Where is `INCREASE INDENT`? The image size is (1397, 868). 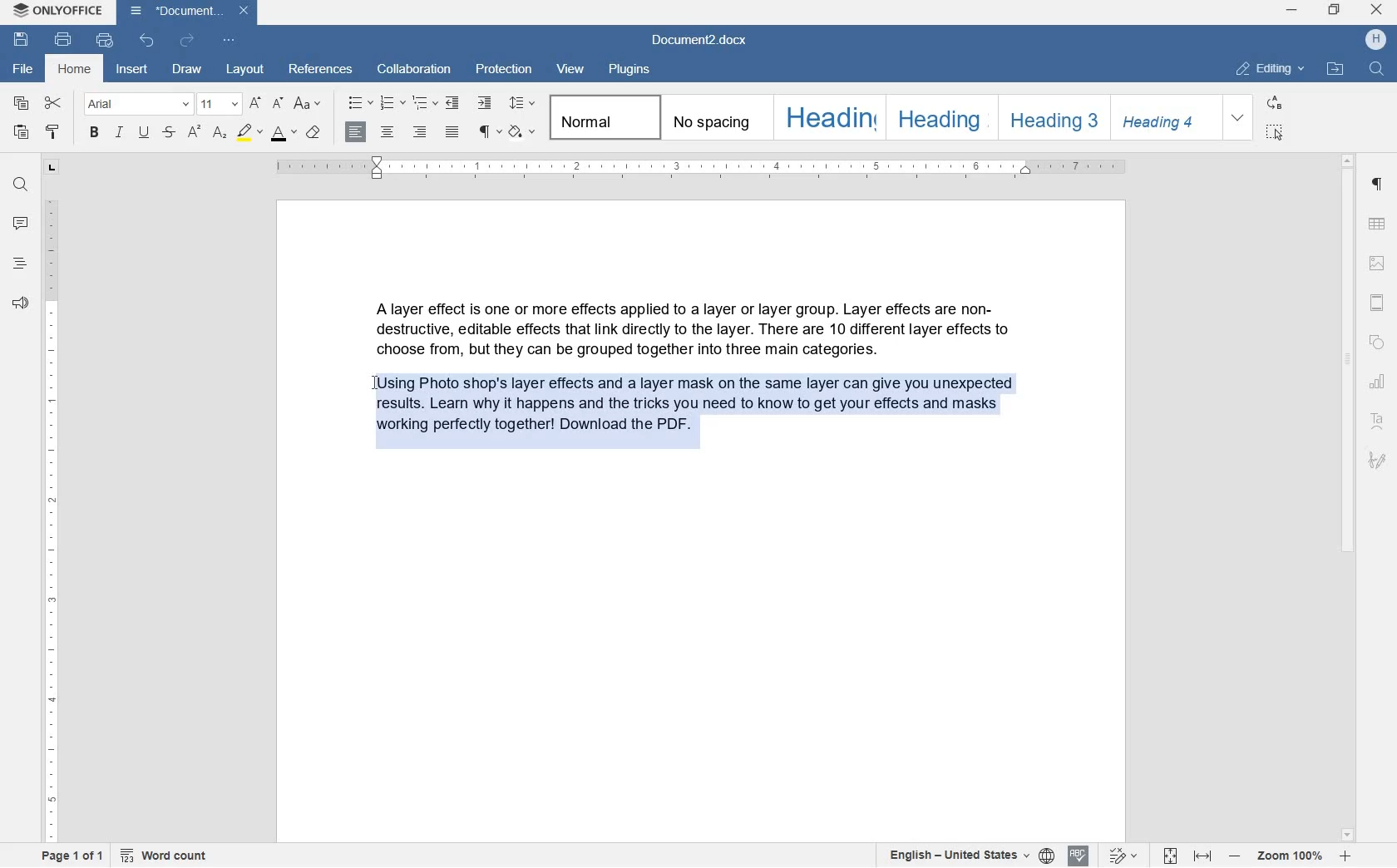
INCREASE INDENT is located at coordinates (484, 104).